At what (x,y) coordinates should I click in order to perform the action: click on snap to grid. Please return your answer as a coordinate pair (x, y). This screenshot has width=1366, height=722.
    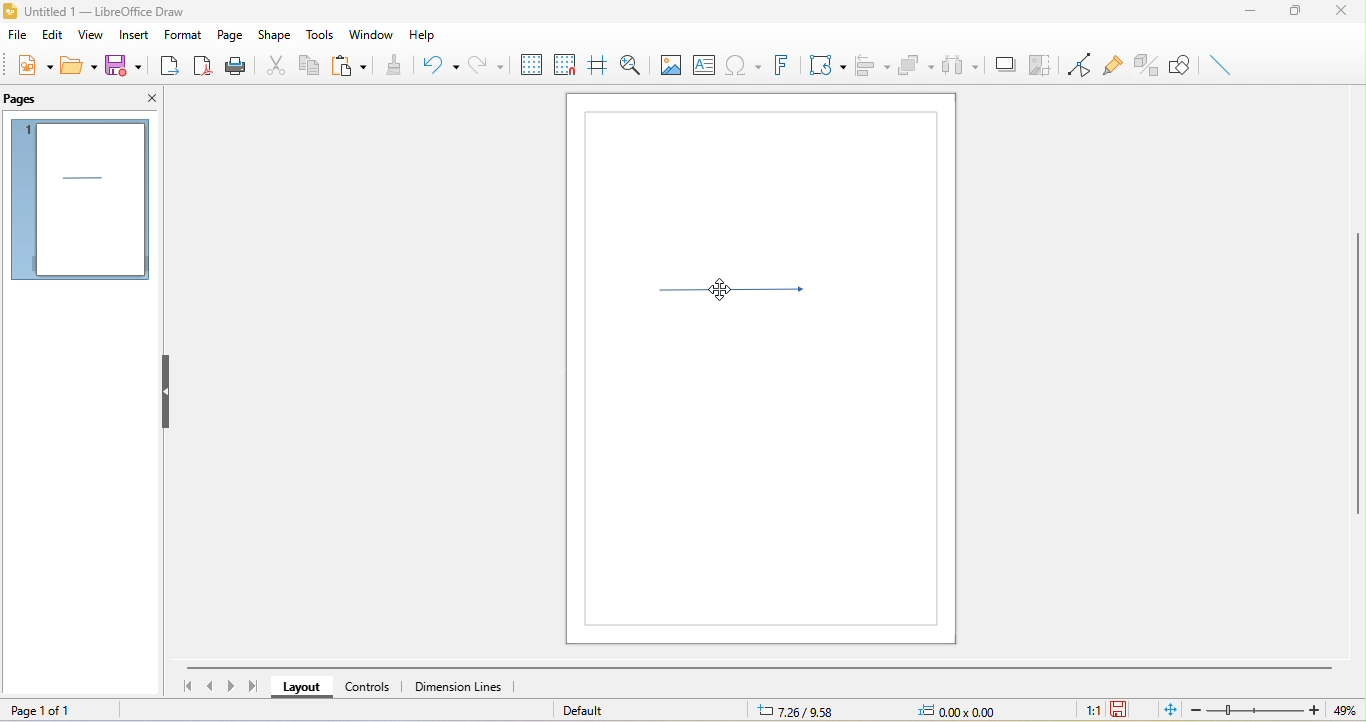
    Looking at the image, I should click on (564, 62).